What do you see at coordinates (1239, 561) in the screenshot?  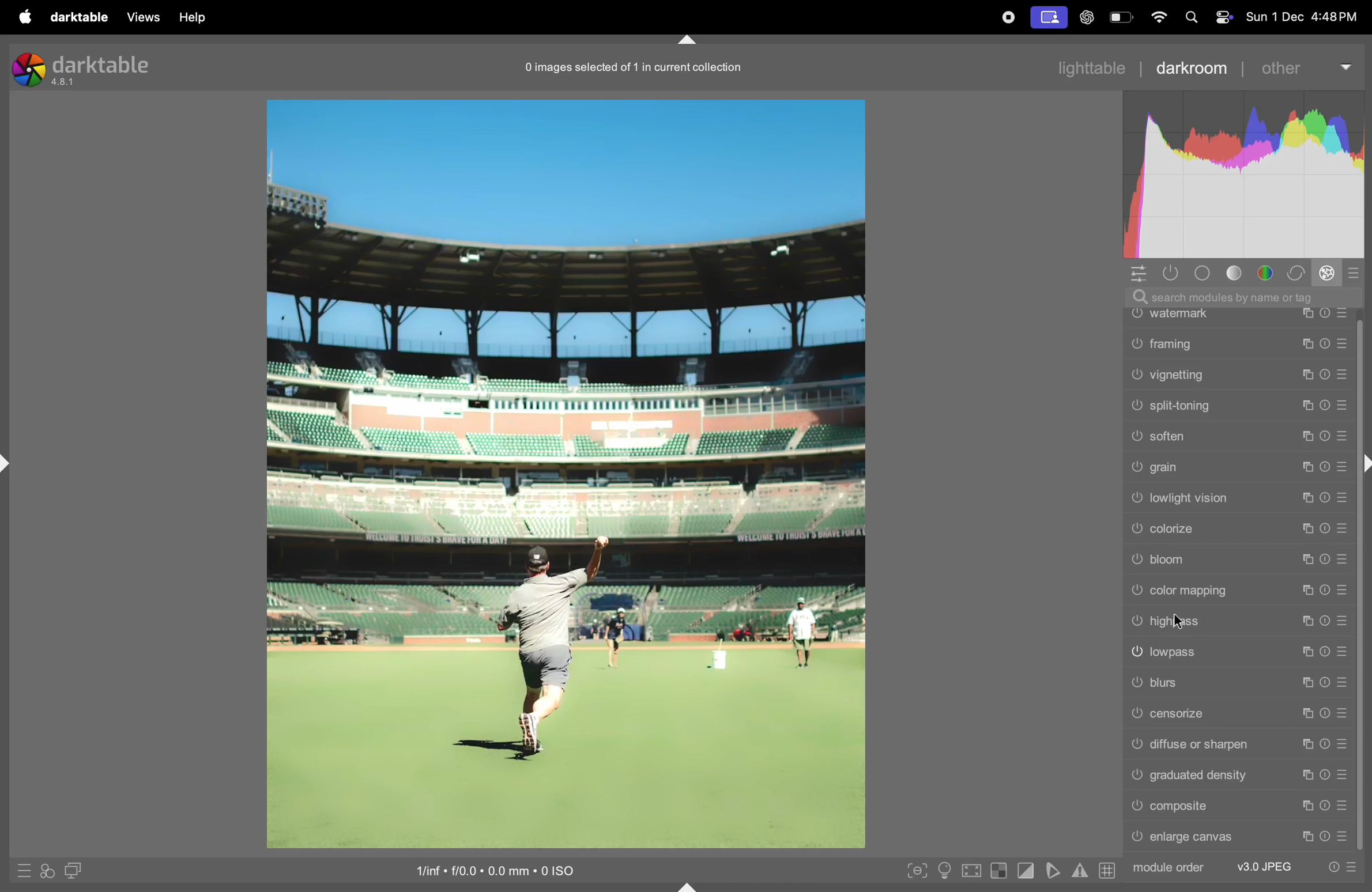 I see `bloom` at bounding box center [1239, 561].